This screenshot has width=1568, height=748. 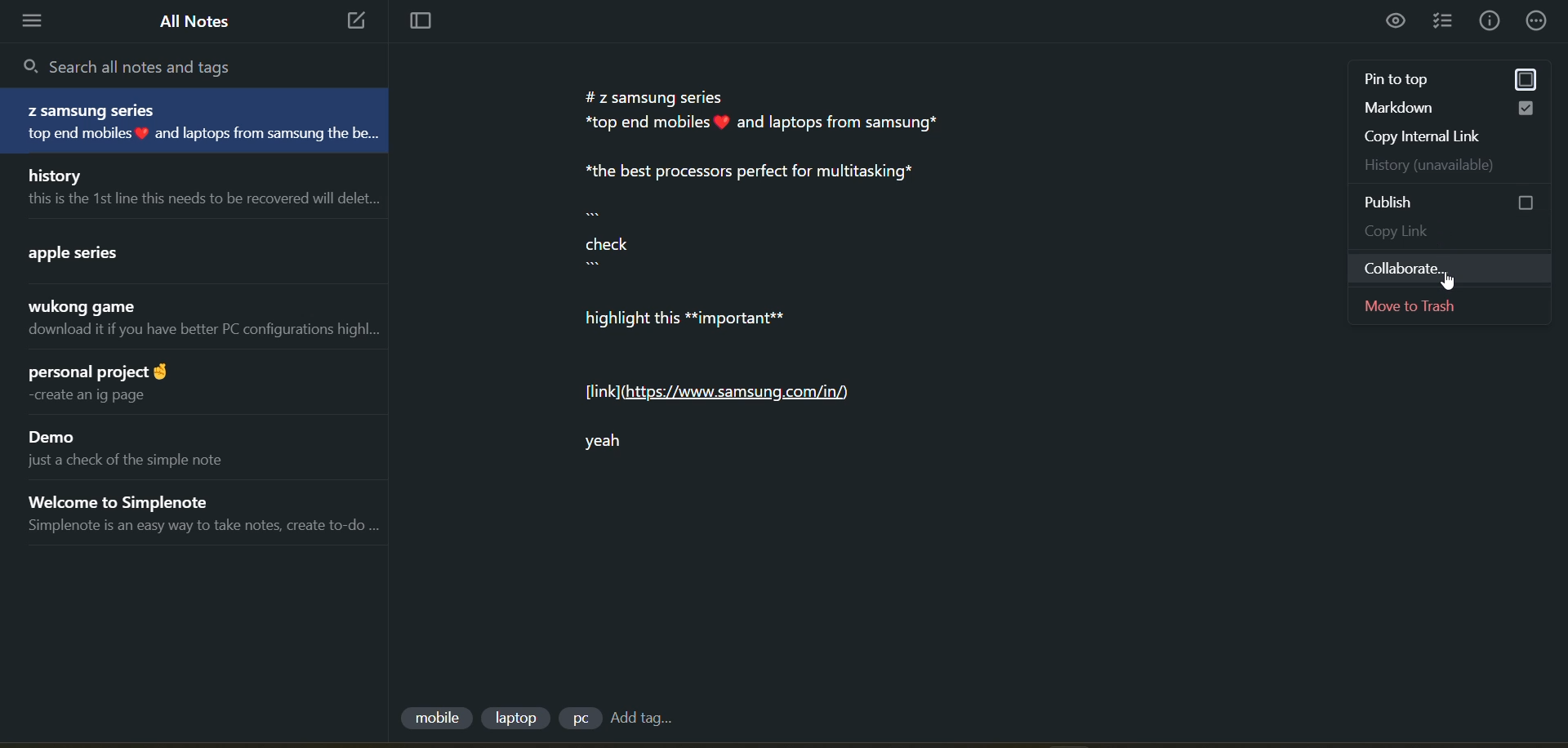 What do you see at coordinates (139, 65) in the screenshot?
I see `search all notes and tags` at bounding box center [139, 65].